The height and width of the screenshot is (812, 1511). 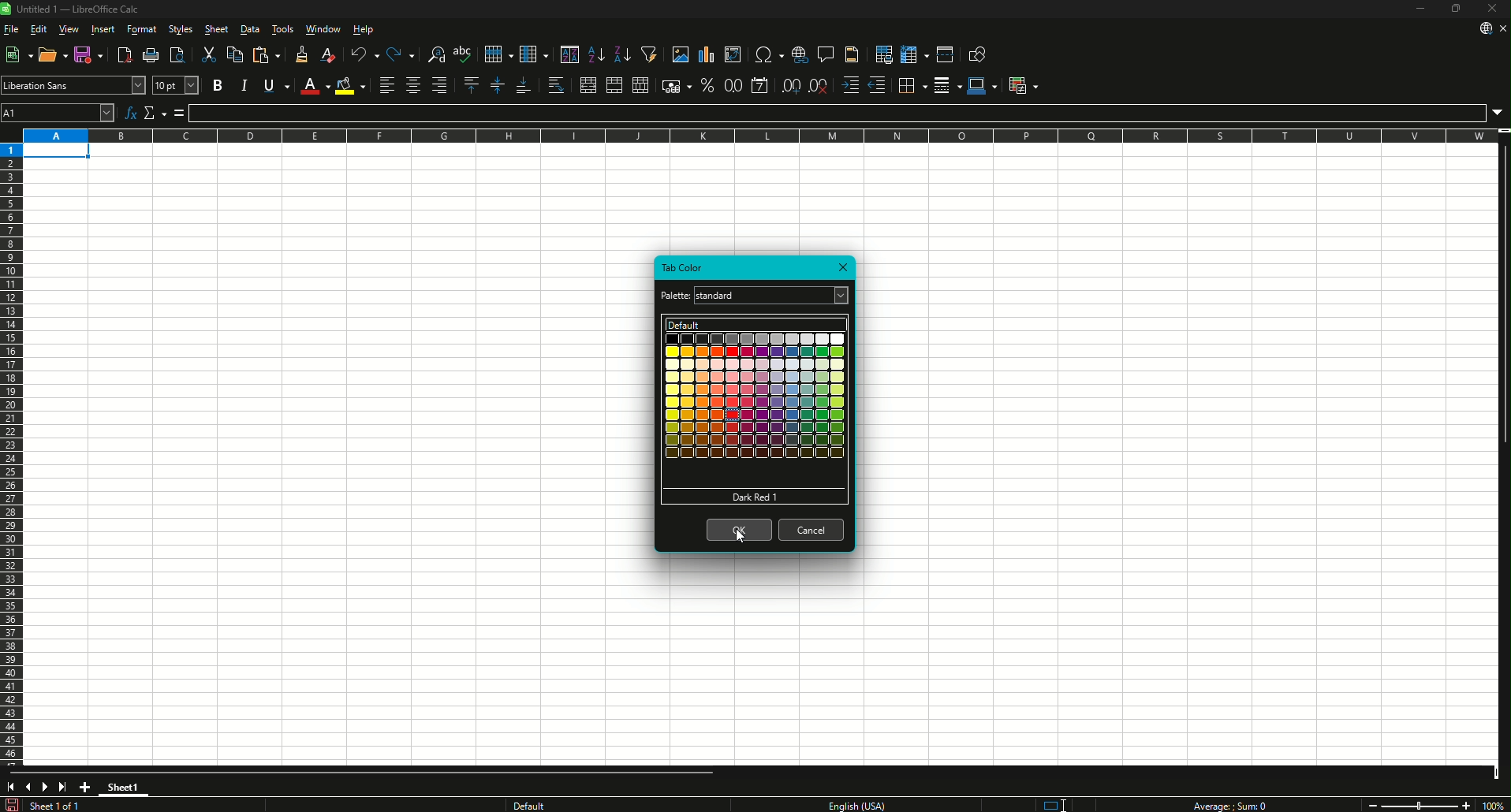 What do you see at coordinates (57, 151) in the screenshot?
I see `Selected cell` at bounding box center [57, 151].